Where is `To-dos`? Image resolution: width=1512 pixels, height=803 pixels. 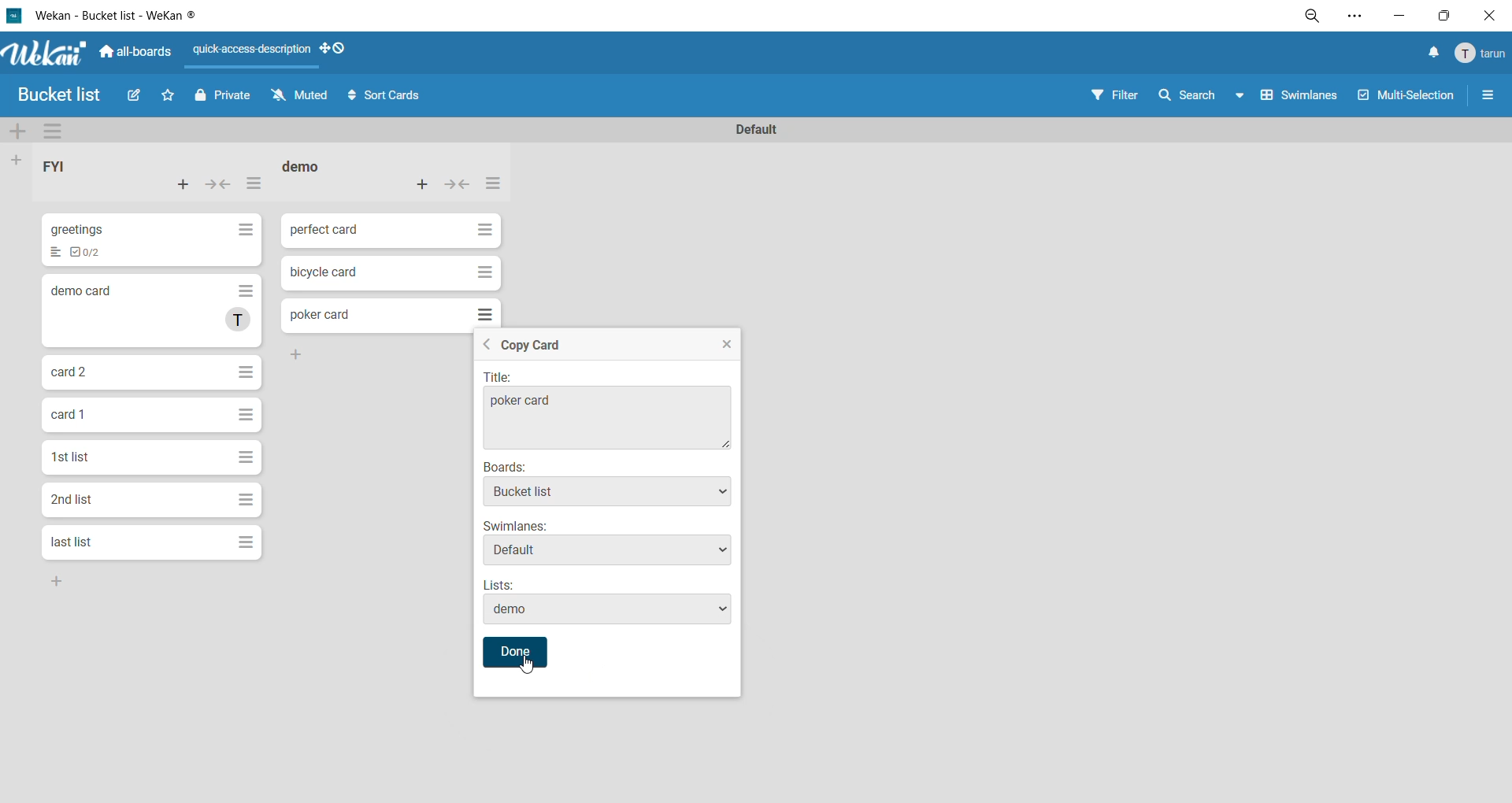
To-dos is located at coordinates (89, 253).